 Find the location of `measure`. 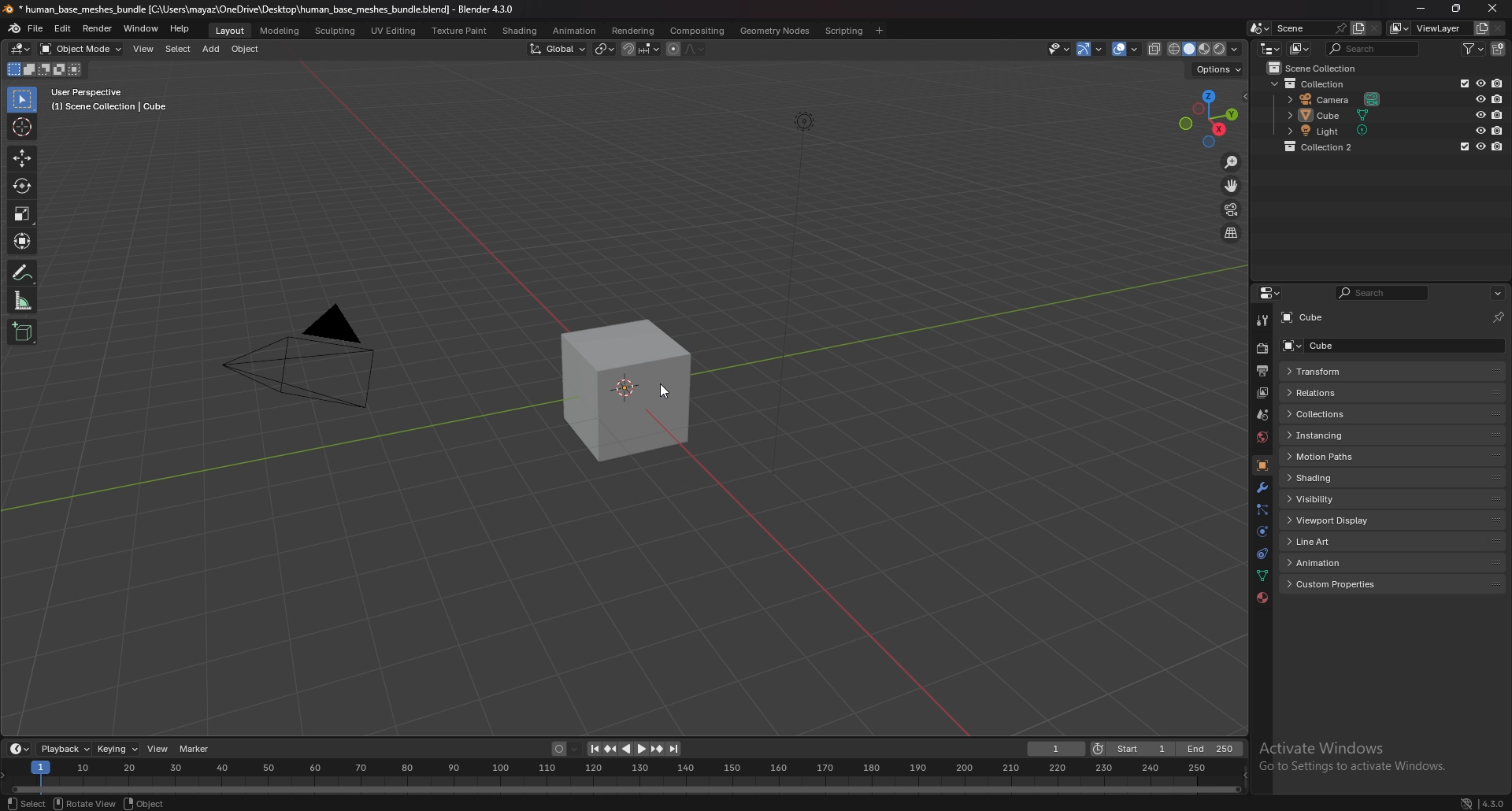

measure is located at coordinates (22, 301).